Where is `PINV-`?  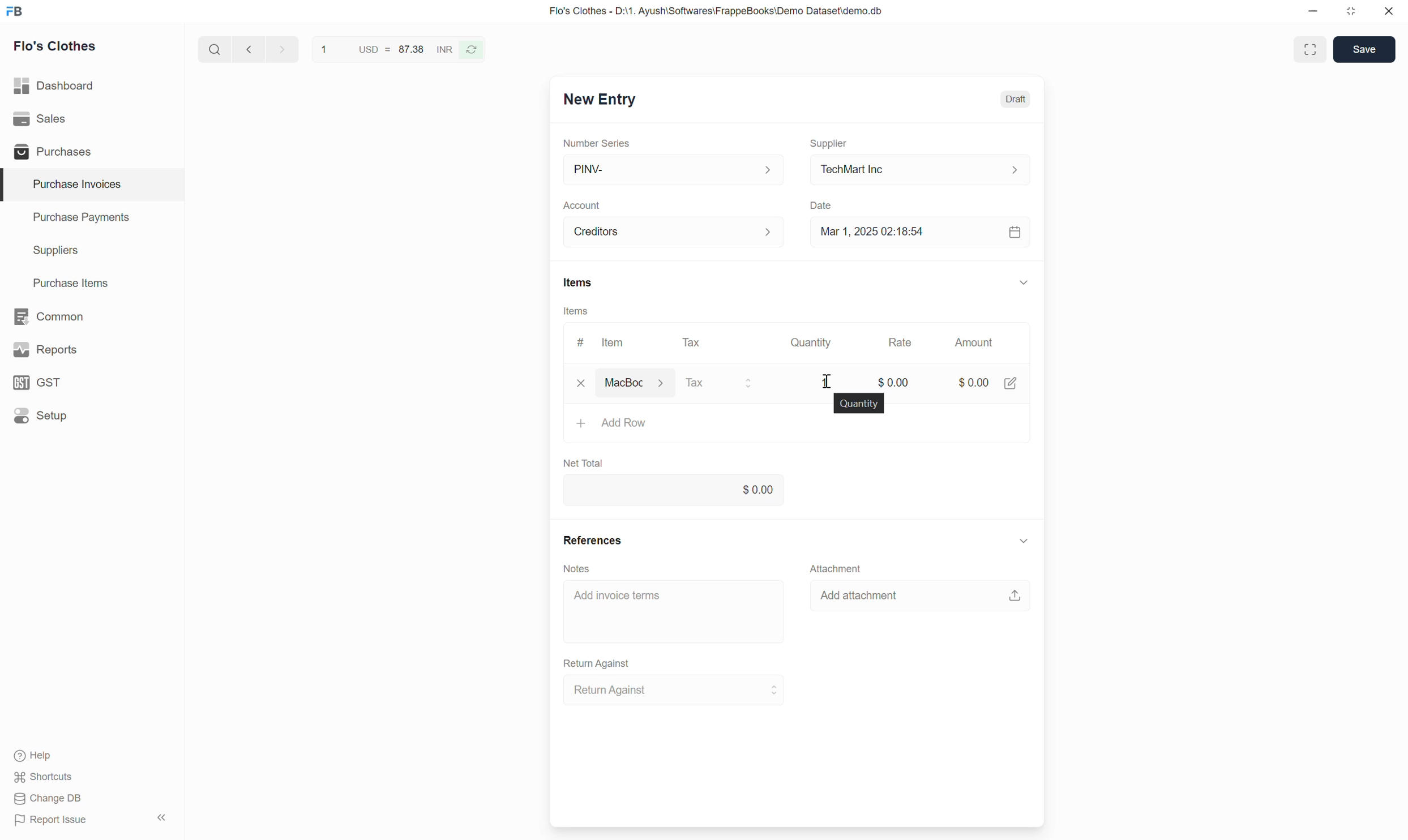 PINV- is located at coordinates (673, 170).